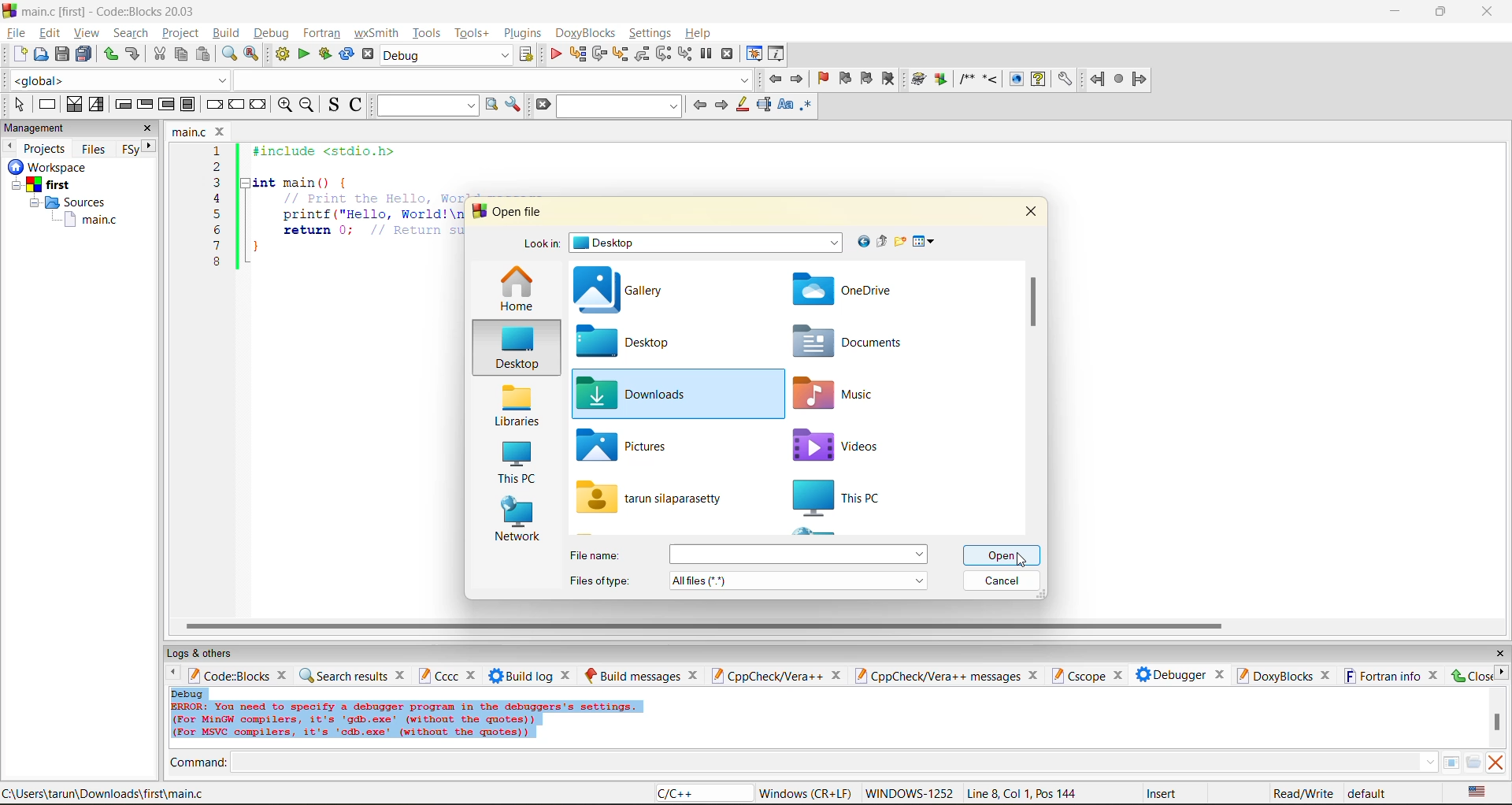 The width and height of the screenshot is (1512, 805). What do you see at coordinates (1002, 582) in the screenshot?
I see `cancel` at bounding box center [1002, 582].